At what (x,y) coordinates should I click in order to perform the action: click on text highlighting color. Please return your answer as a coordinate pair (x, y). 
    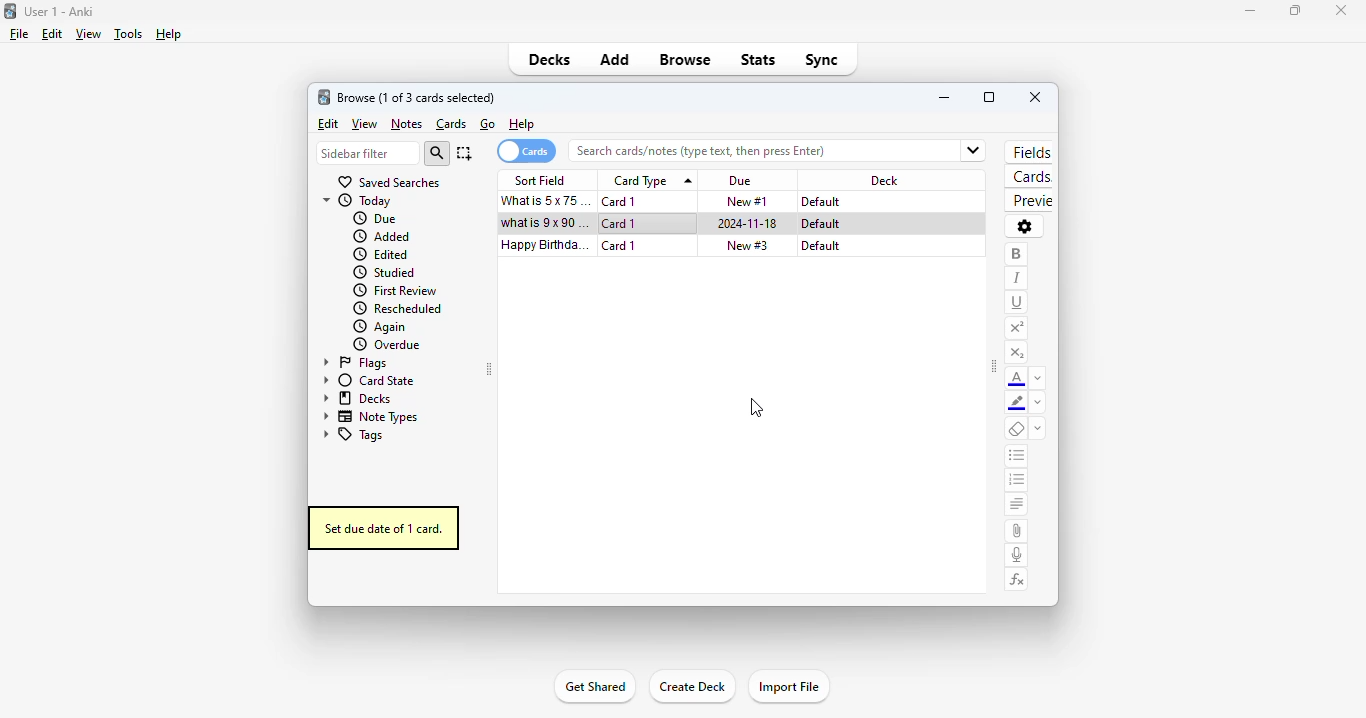
    Looking at the image, I should click on (1016, 403).